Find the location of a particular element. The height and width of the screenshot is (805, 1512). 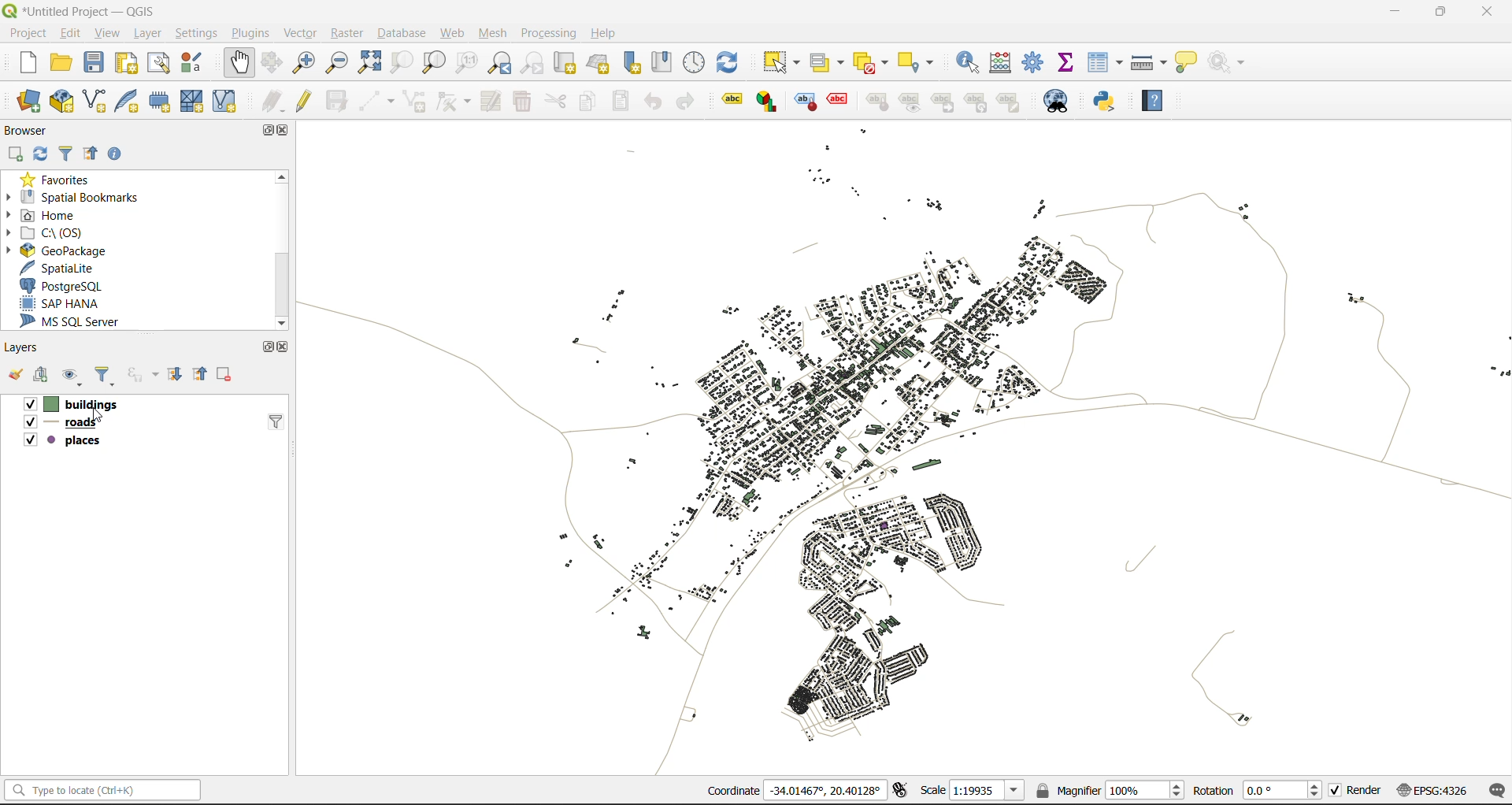

log messages is located at coordinates (1498, 792).